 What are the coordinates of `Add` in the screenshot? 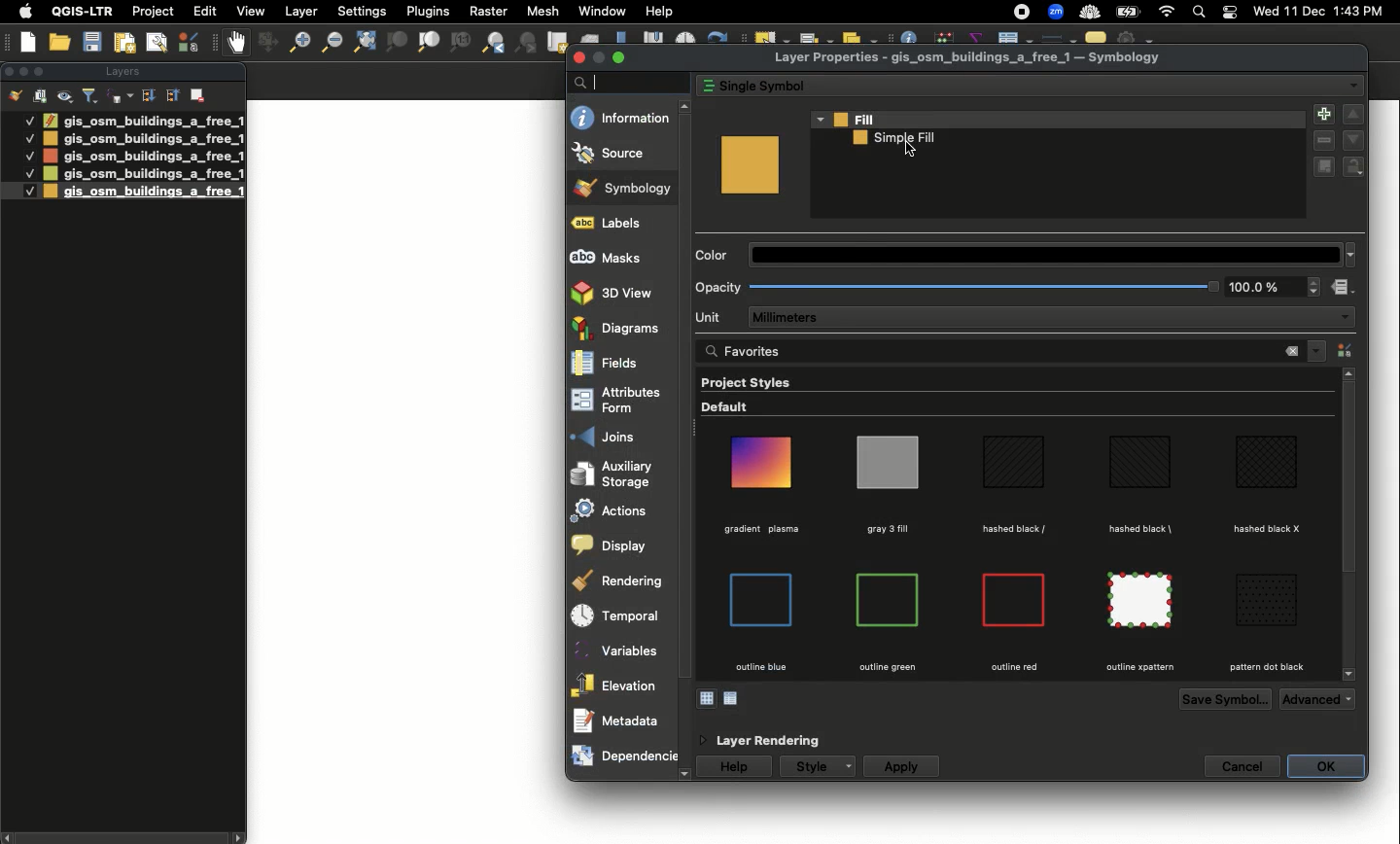 It's located at (1322, 116).